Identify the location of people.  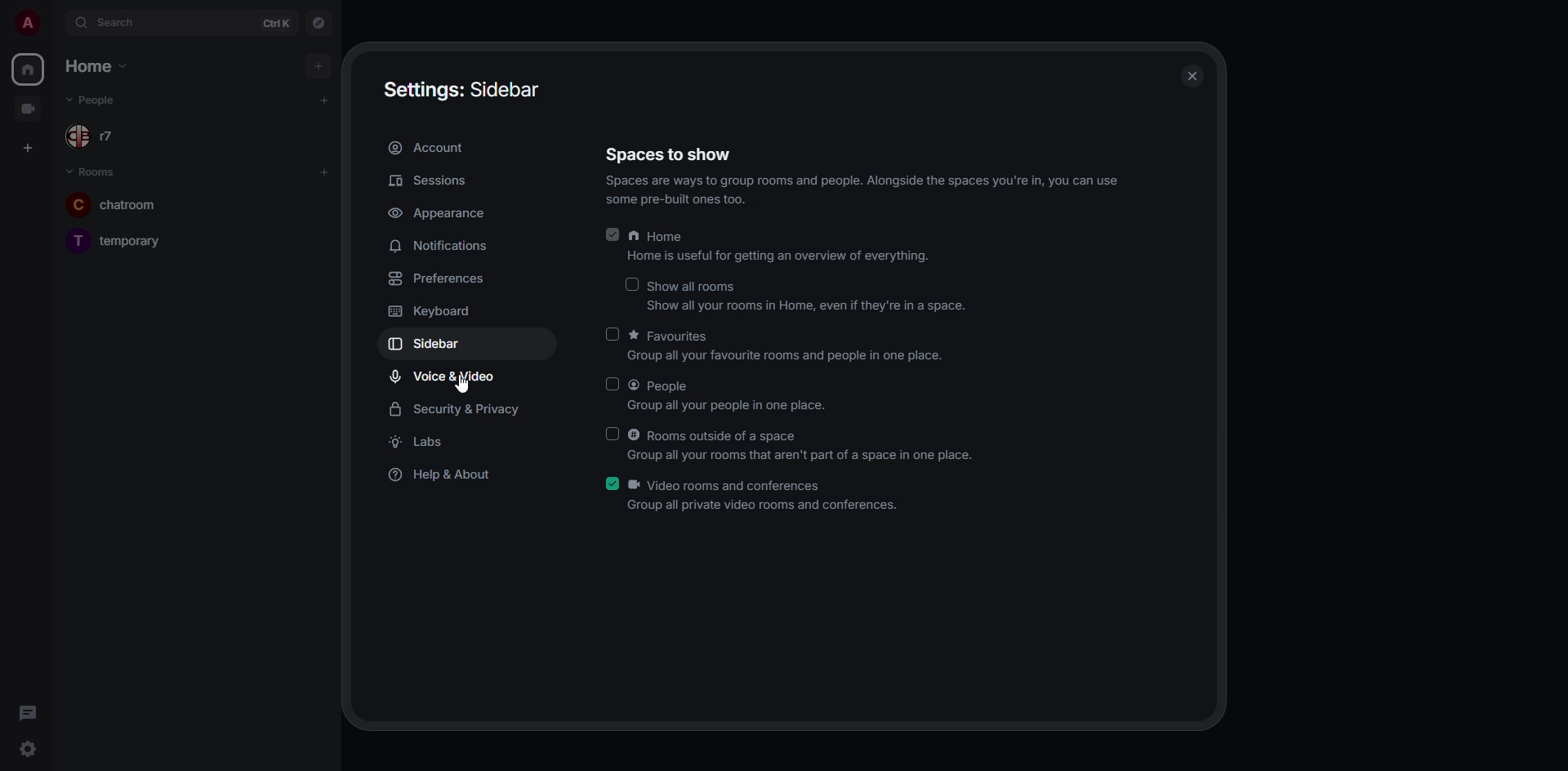
(104, 138).